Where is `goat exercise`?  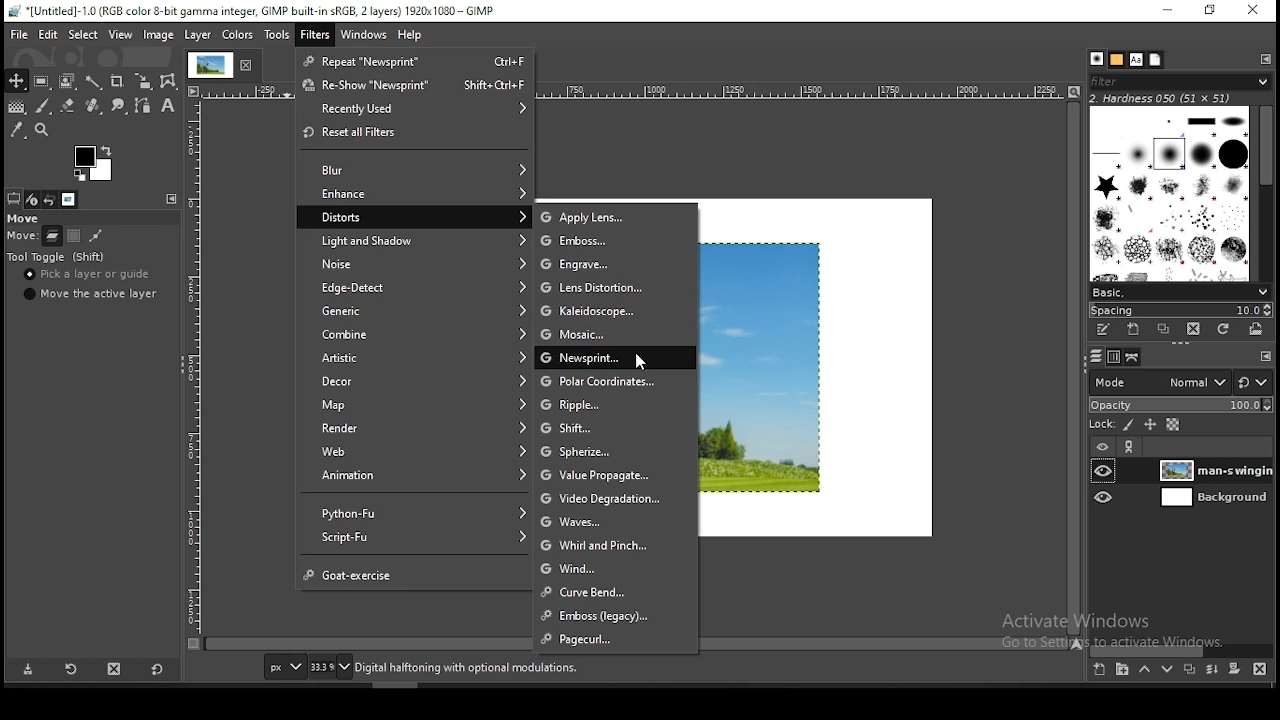
goat exercise is located at coordinates (419, 571).